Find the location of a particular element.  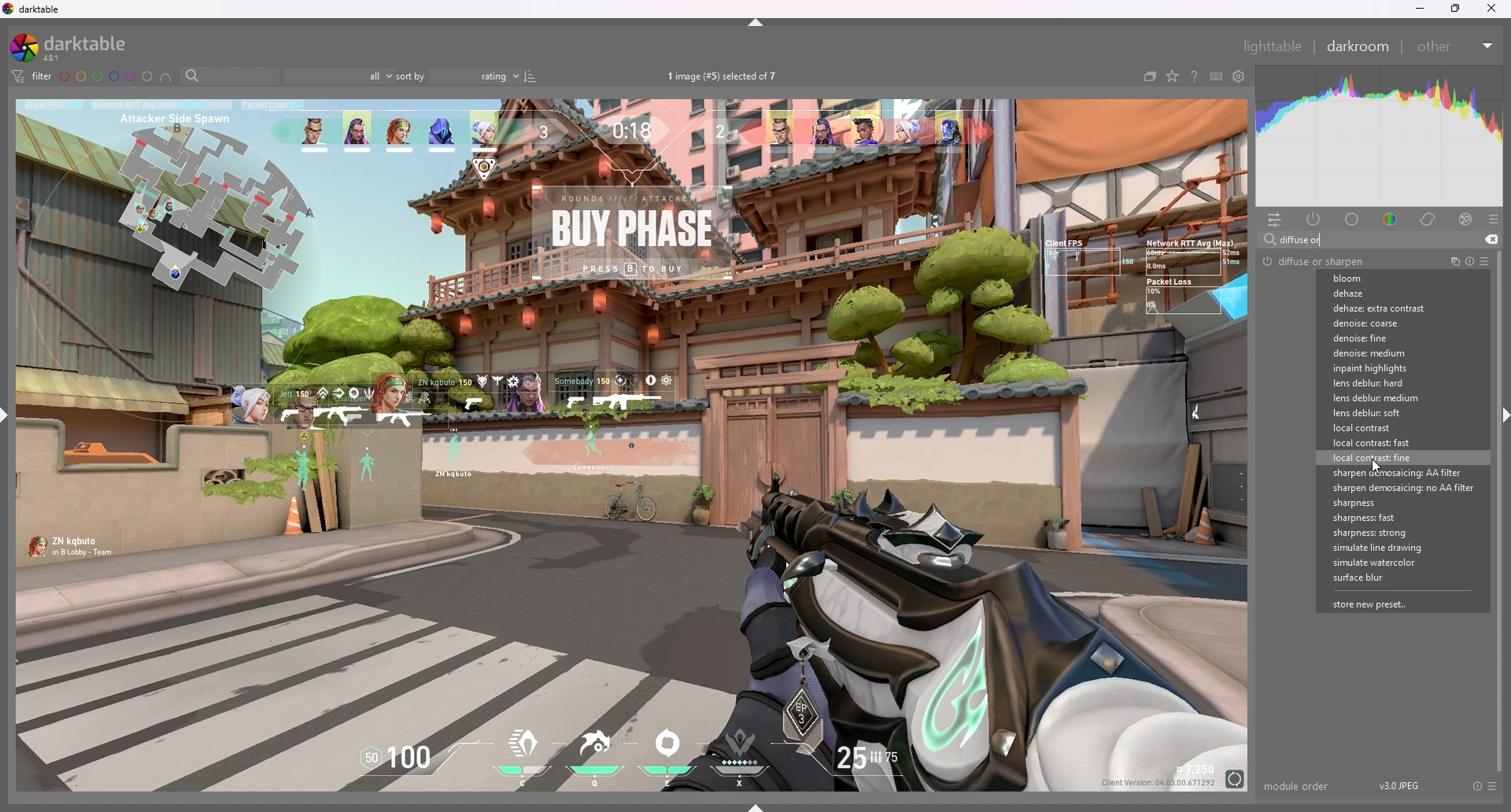

color label is located at coordinates (106, 76).